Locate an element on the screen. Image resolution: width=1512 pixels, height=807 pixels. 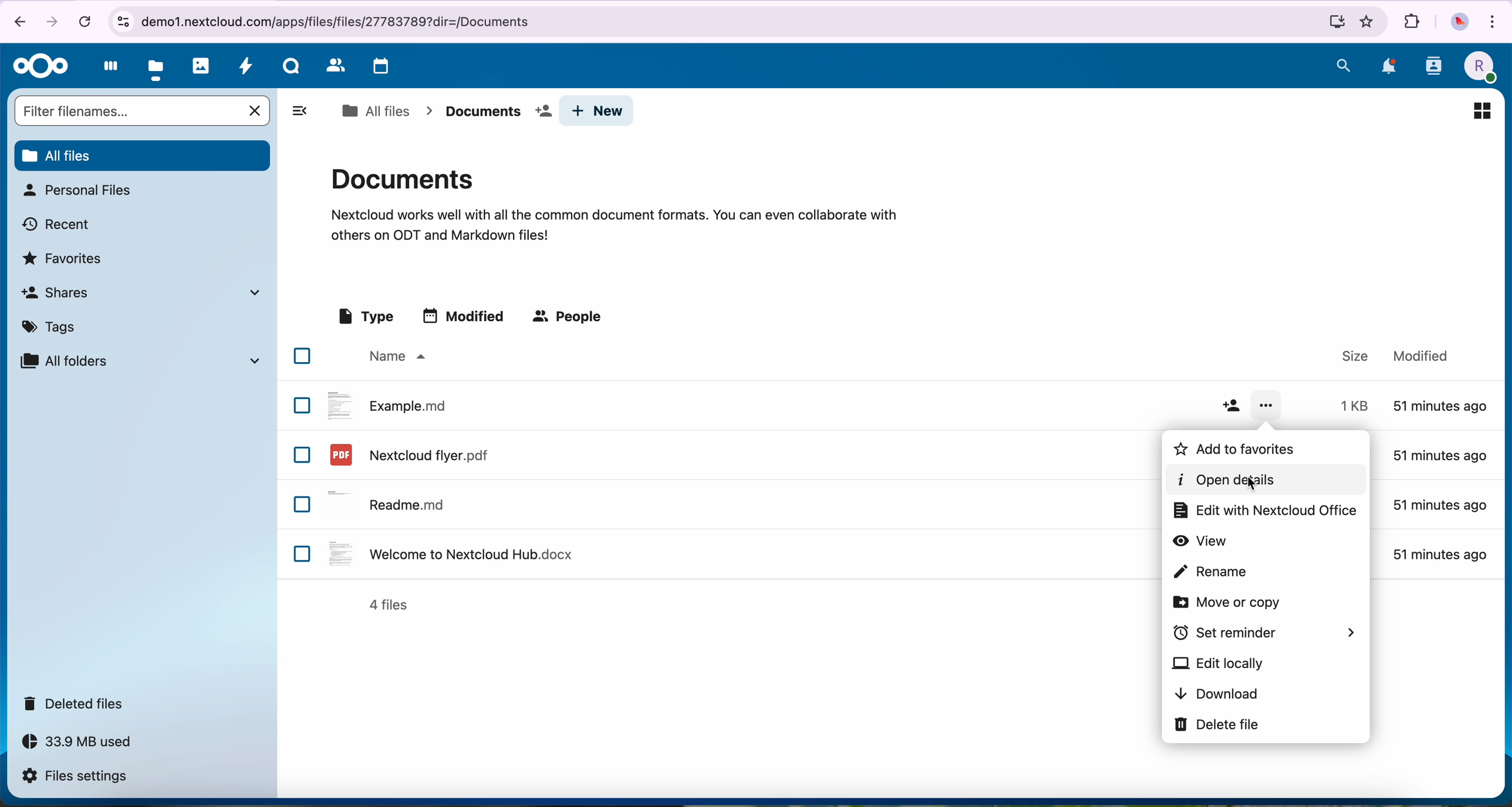
url is located at coordinates (728, 22).